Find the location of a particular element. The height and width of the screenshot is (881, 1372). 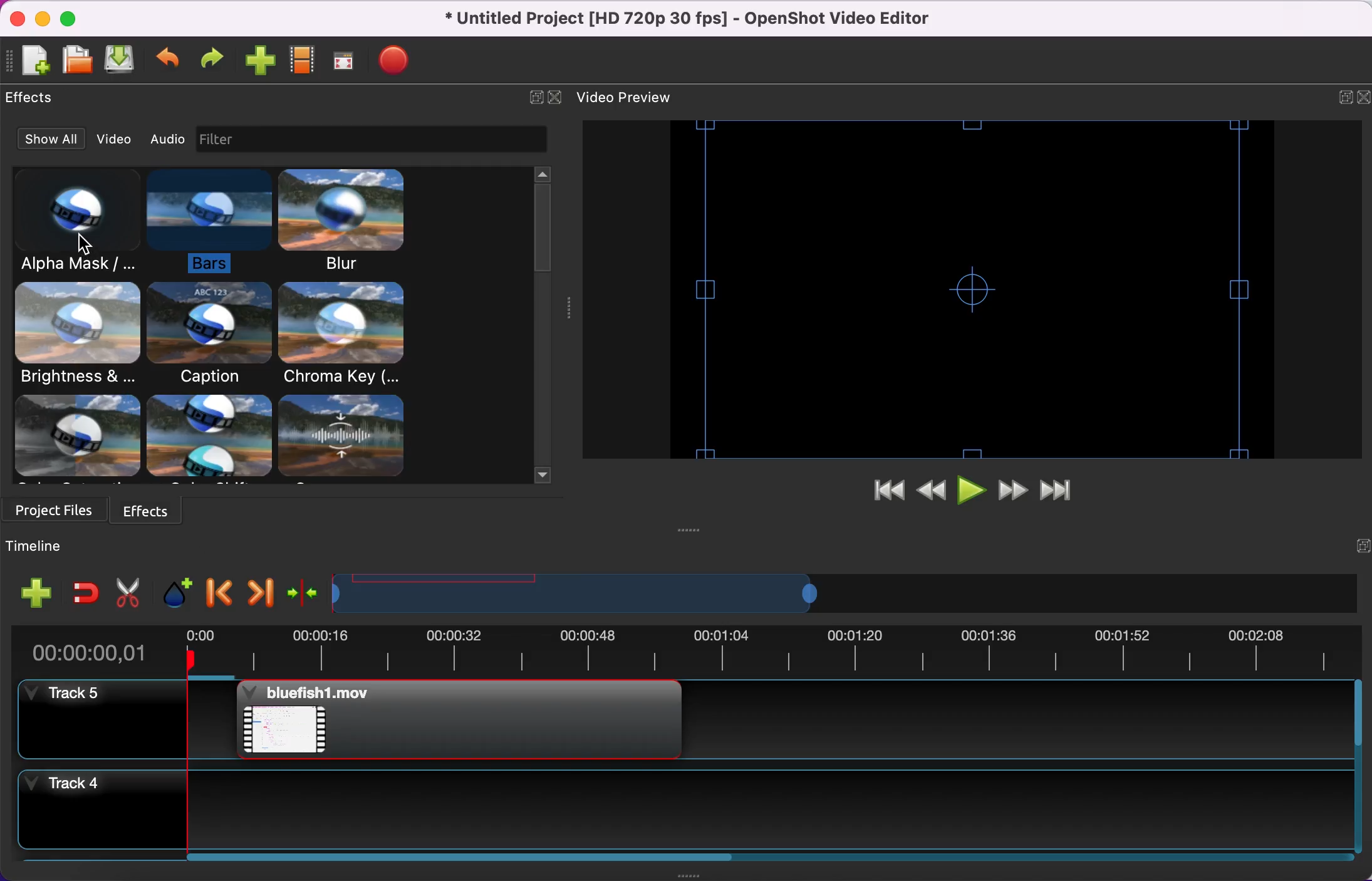

title is located at coordinates (700, 19).